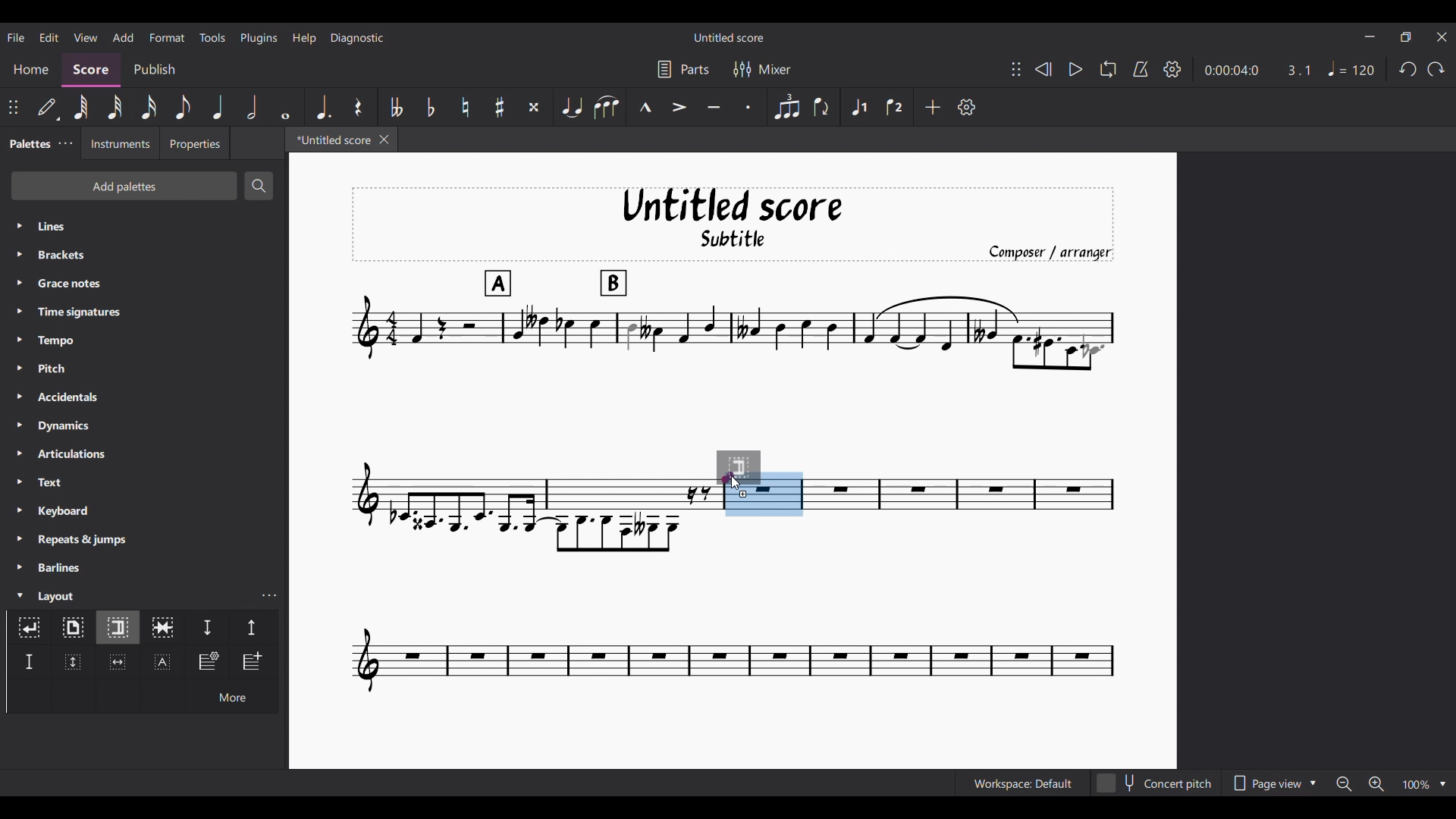 The width and height of the screenshot is (1456, 819). I want to click on Staff spacer down, so click(207, 627).